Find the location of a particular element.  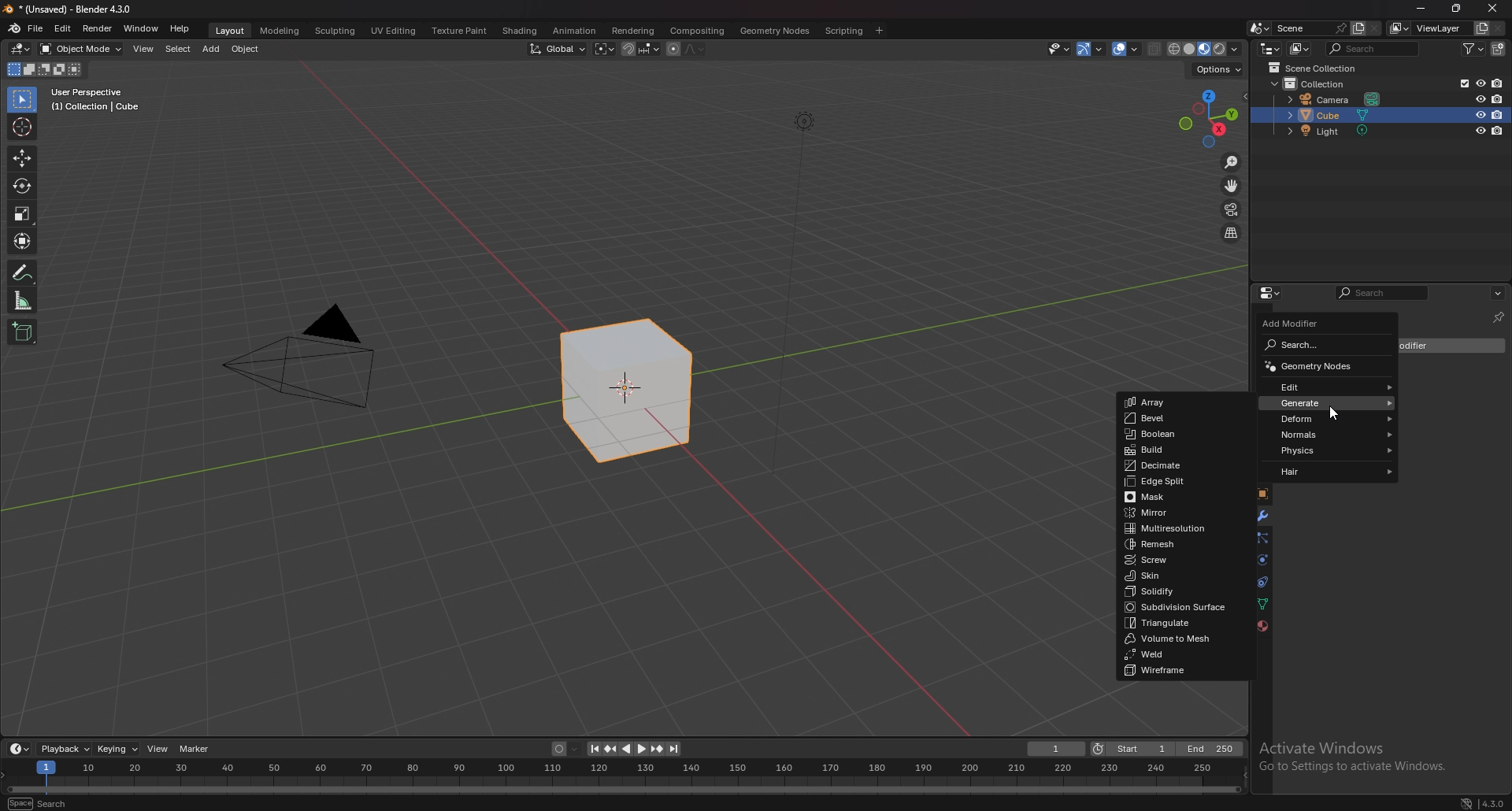

geometry nodes is located at coordinates (775, 30).